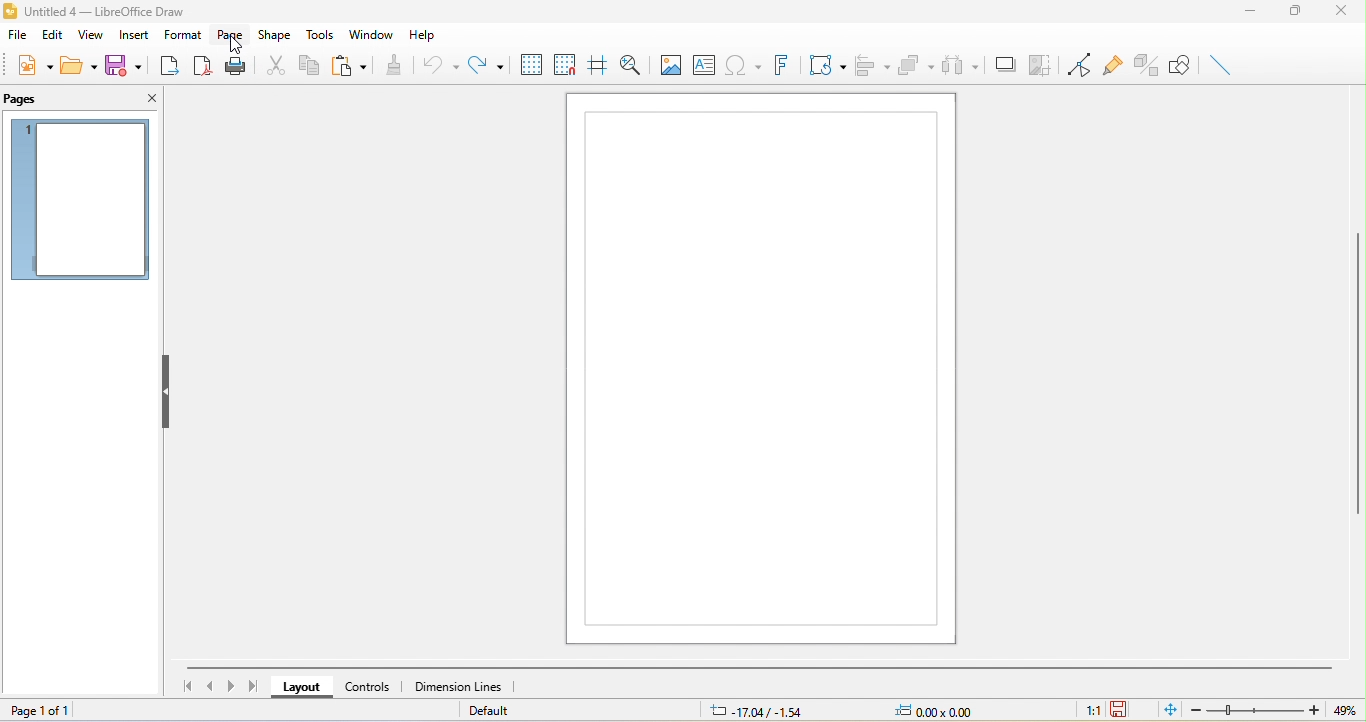  What do you see at coordinates (1005, 63) in the screenshot?
I see `shadow` at bounding box center [1005, 63].